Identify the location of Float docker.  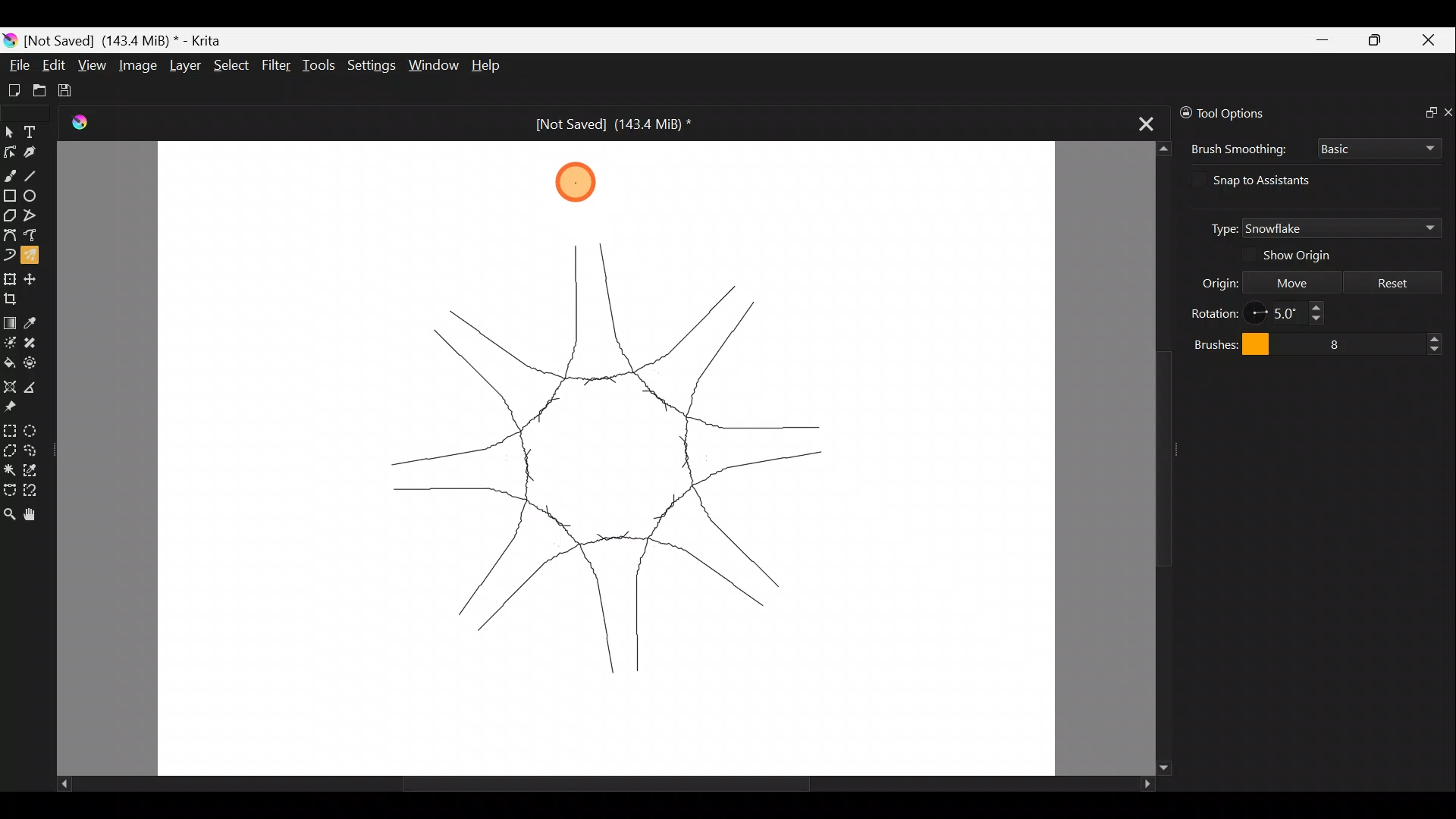
(1424, 110).